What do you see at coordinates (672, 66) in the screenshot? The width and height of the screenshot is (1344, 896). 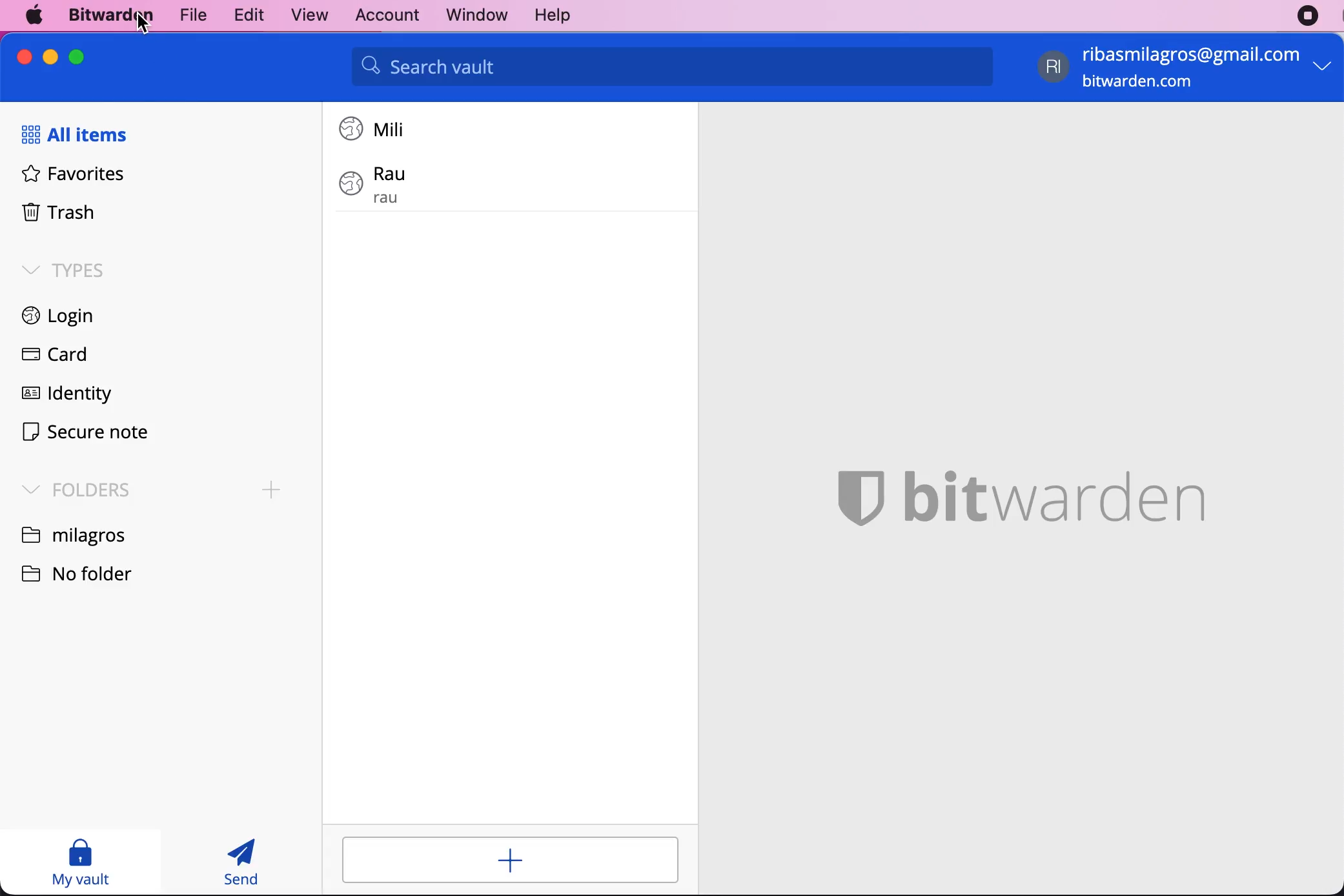 I see `search vault` at bounding box center [672, 66].